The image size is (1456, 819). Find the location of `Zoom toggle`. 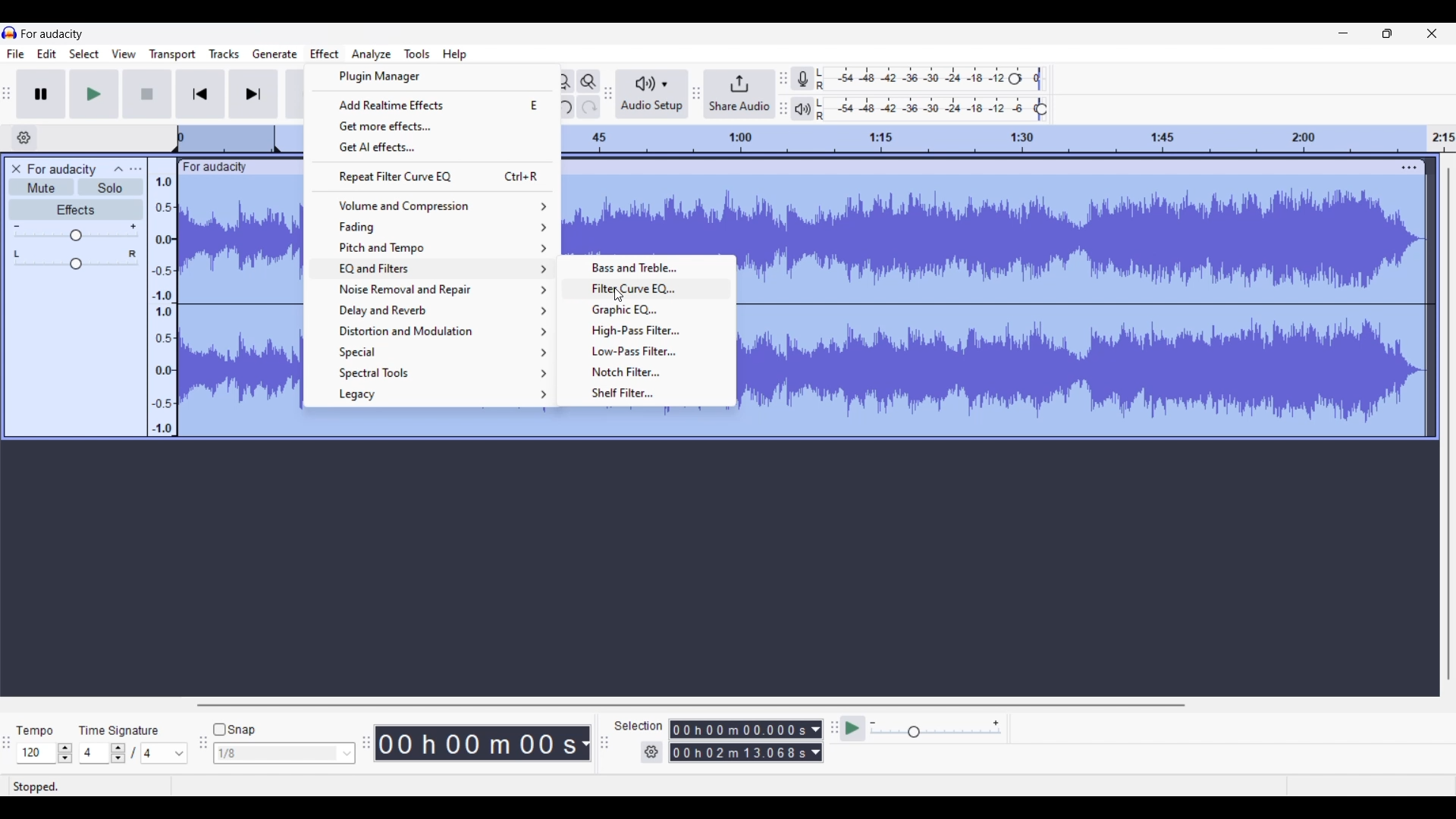

Zoom toggle is located at coordinates (589, 81).